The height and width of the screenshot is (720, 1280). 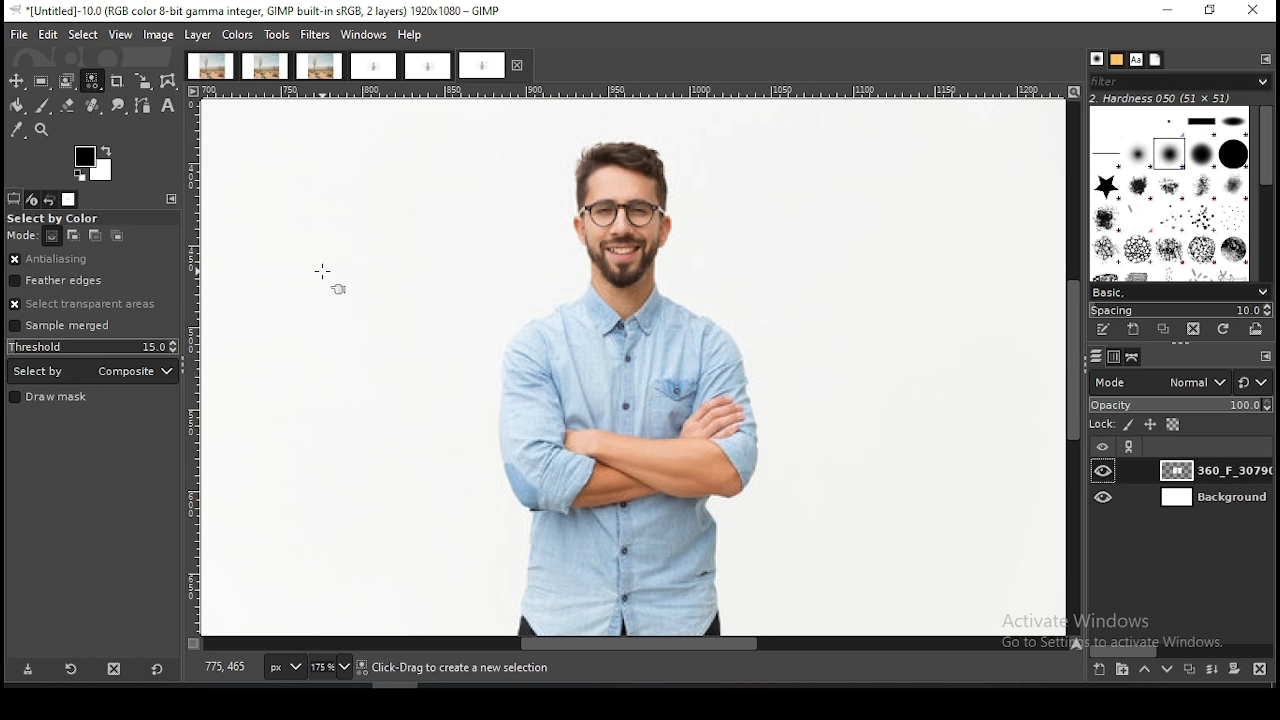 What do you see at coordinates (1100, 425) in the screenshot?
I see `lock` at bounding box center [1100, 425].